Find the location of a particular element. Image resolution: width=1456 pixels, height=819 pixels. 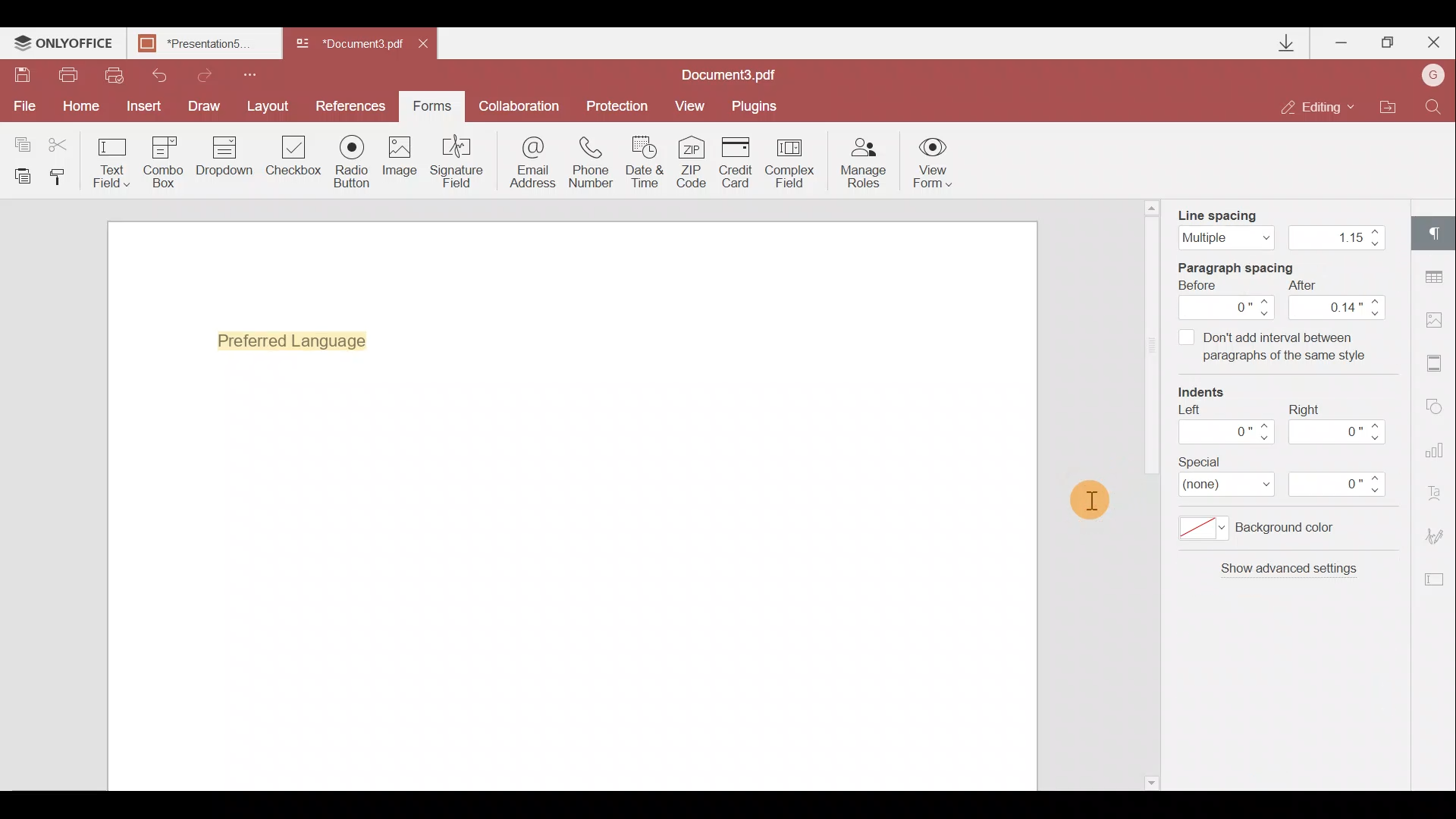

Collaboration is located at coordinates (518, 106).